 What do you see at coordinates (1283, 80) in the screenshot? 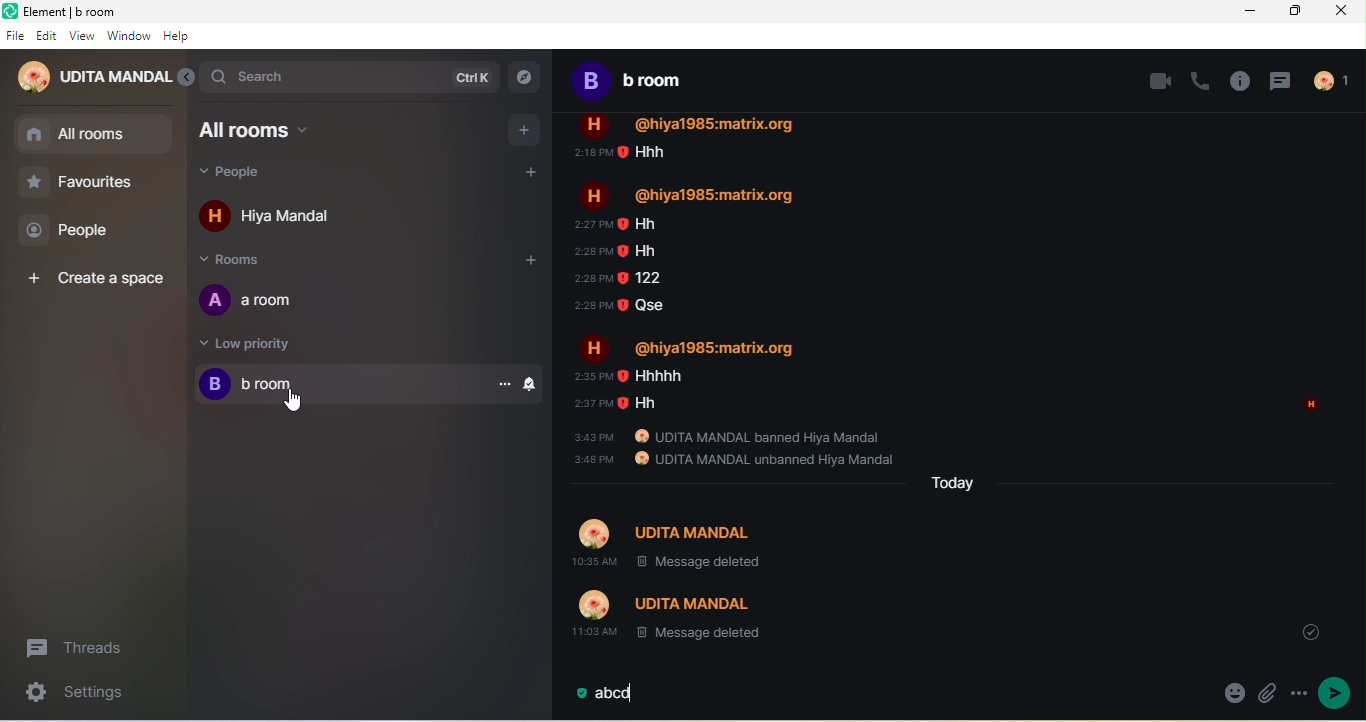
I see `threads` at bounding box center [1283, 80].